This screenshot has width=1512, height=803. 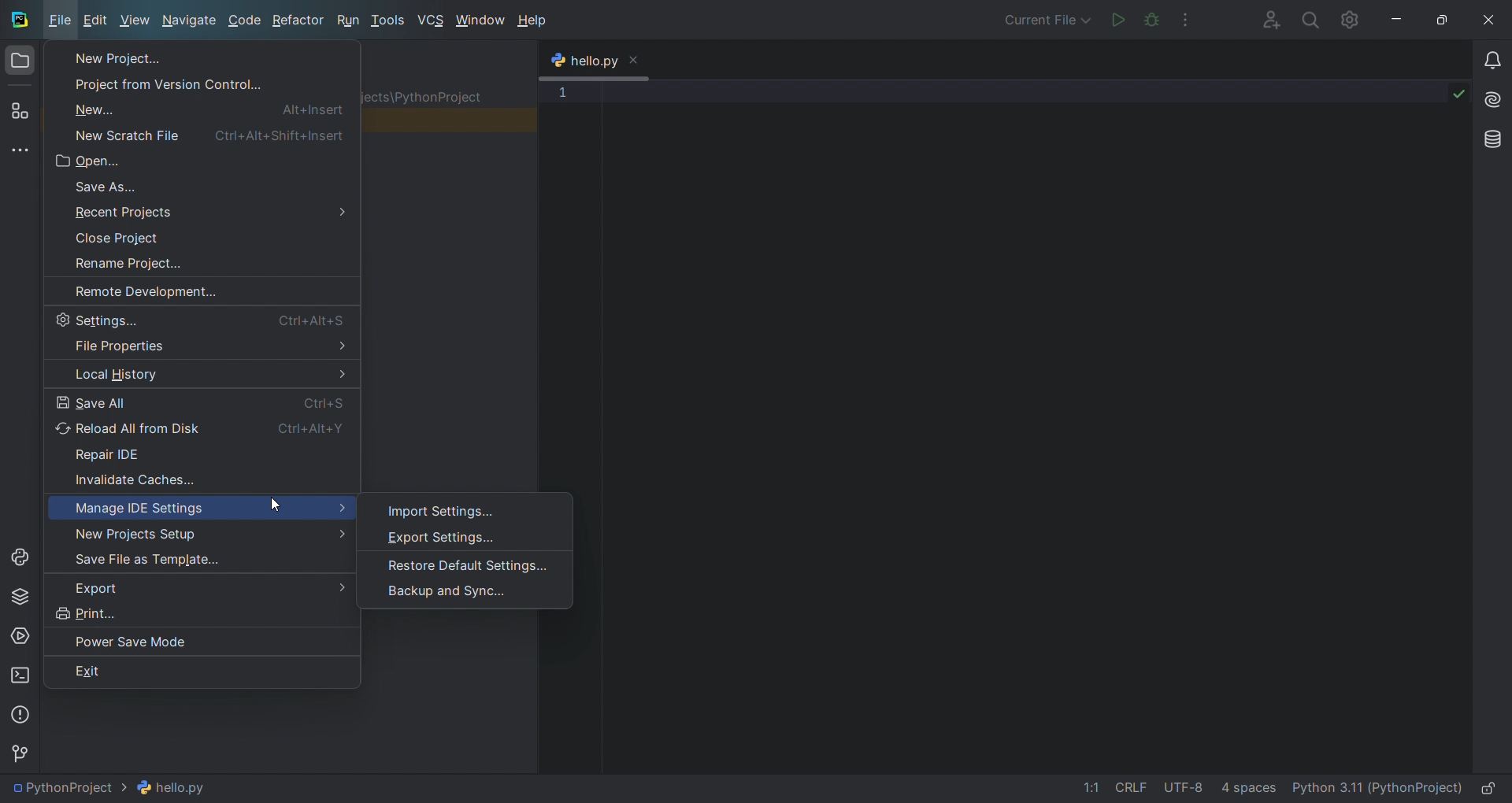 I want to click on vcs, so click(x=432, y=20).